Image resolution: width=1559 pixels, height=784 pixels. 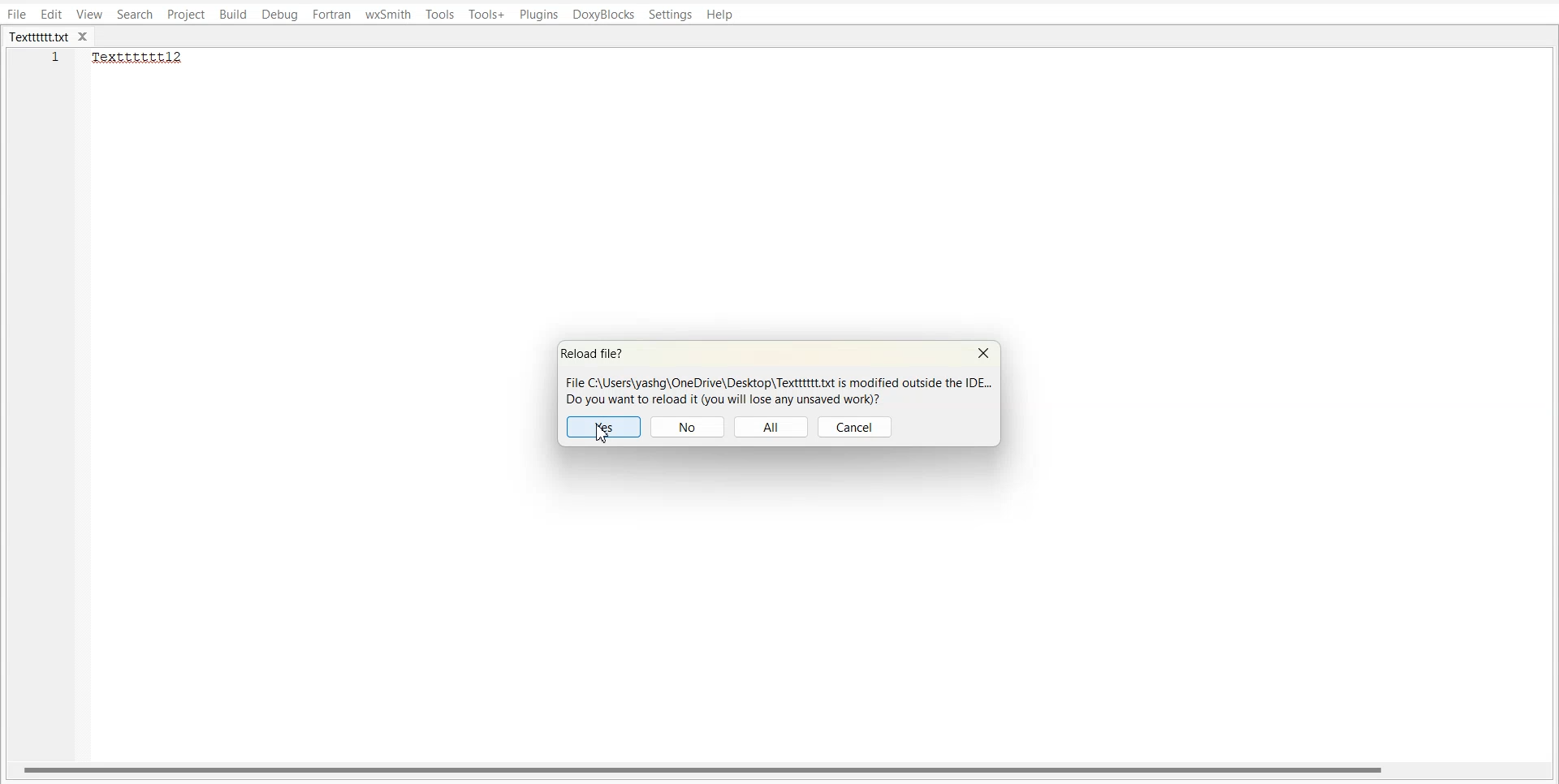 What do you see at coordinates (605, 427) in the screenshot?
I see `Yes` at bounding box center [605, 427].